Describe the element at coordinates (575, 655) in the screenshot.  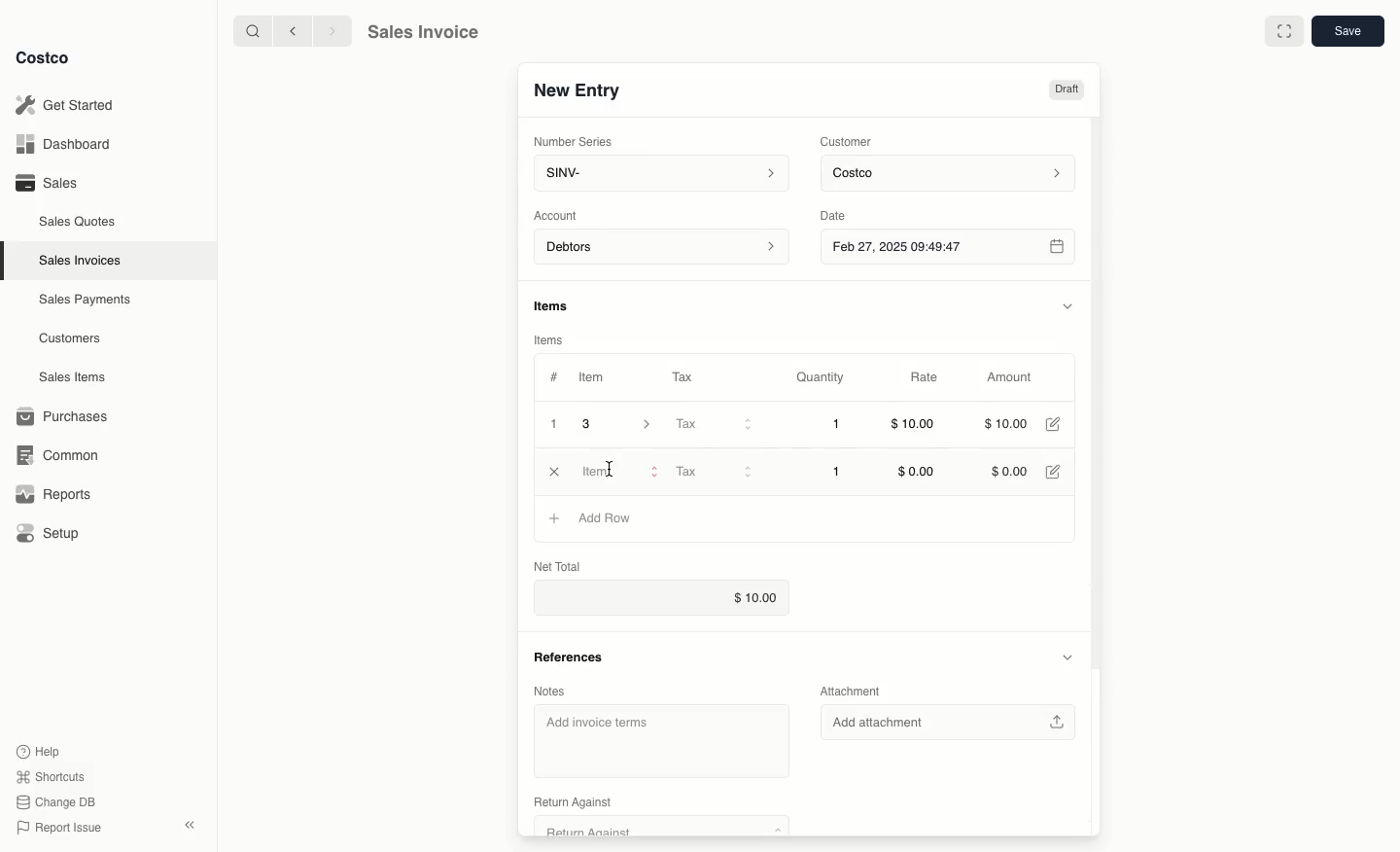
I see `References` at that location.